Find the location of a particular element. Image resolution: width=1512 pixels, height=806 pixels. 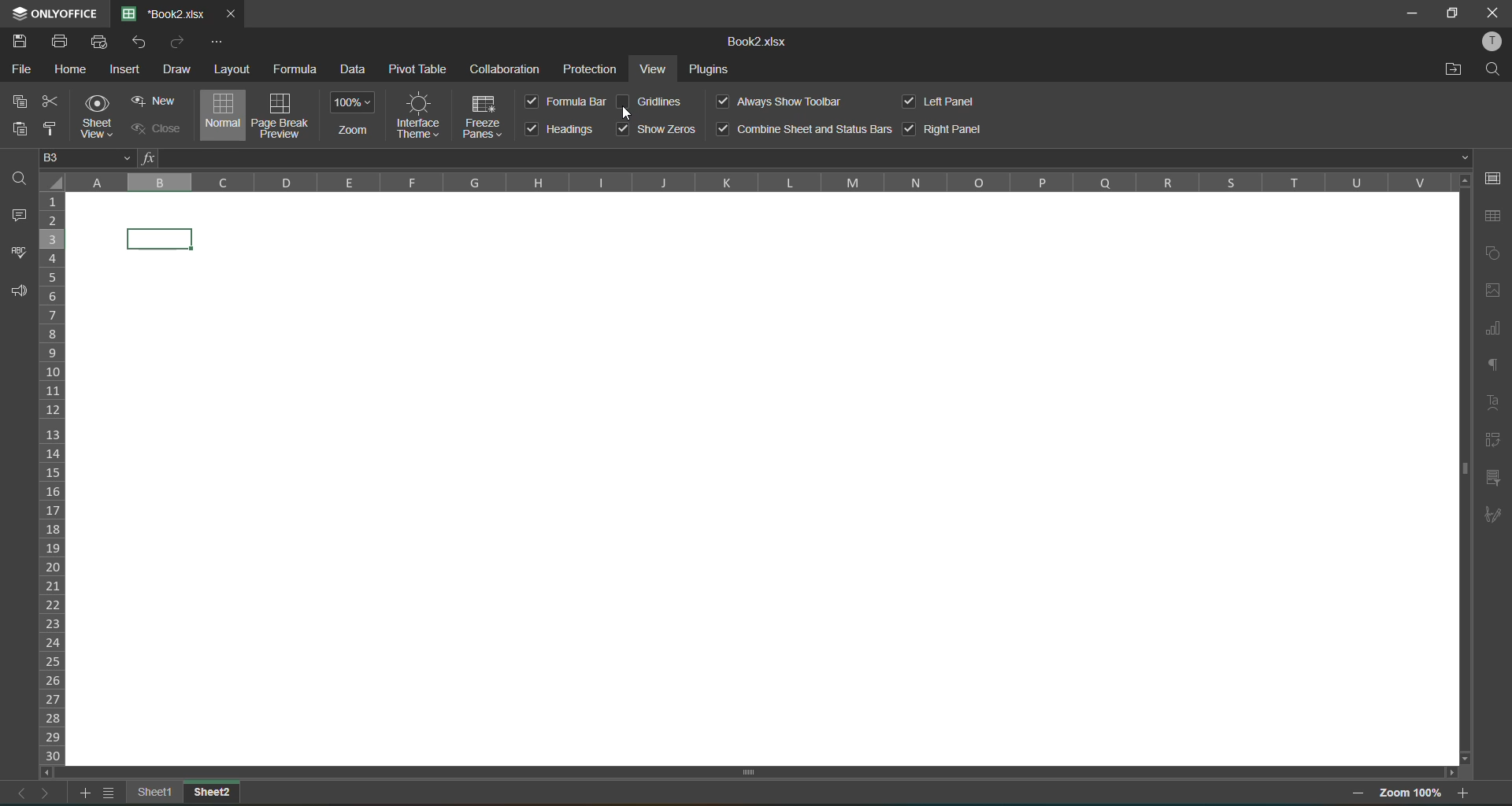

zoom factor is located at coordinates (1409, 794).